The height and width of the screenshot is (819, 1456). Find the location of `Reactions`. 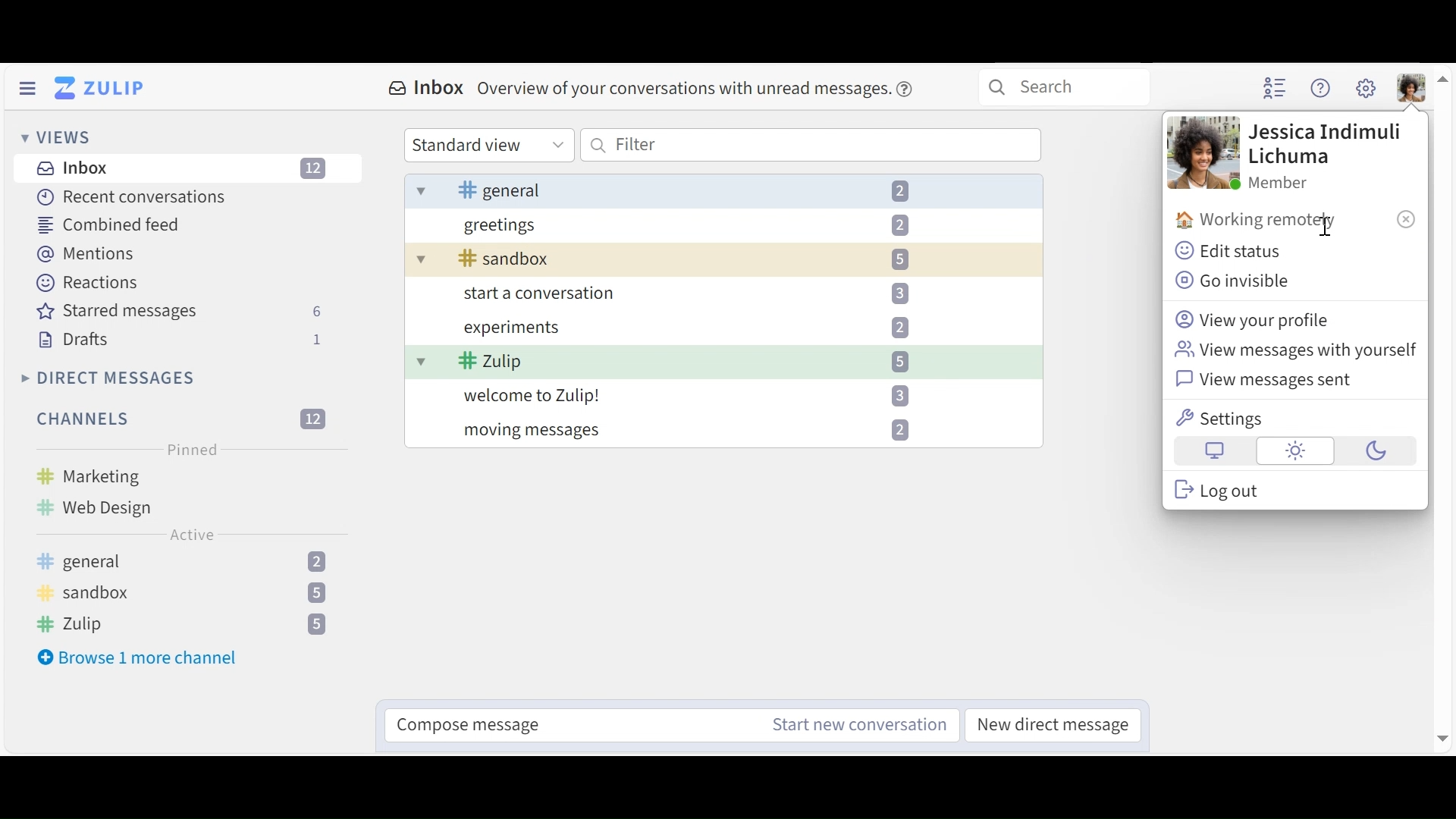

Reactions is located at coordinates (89, 282).